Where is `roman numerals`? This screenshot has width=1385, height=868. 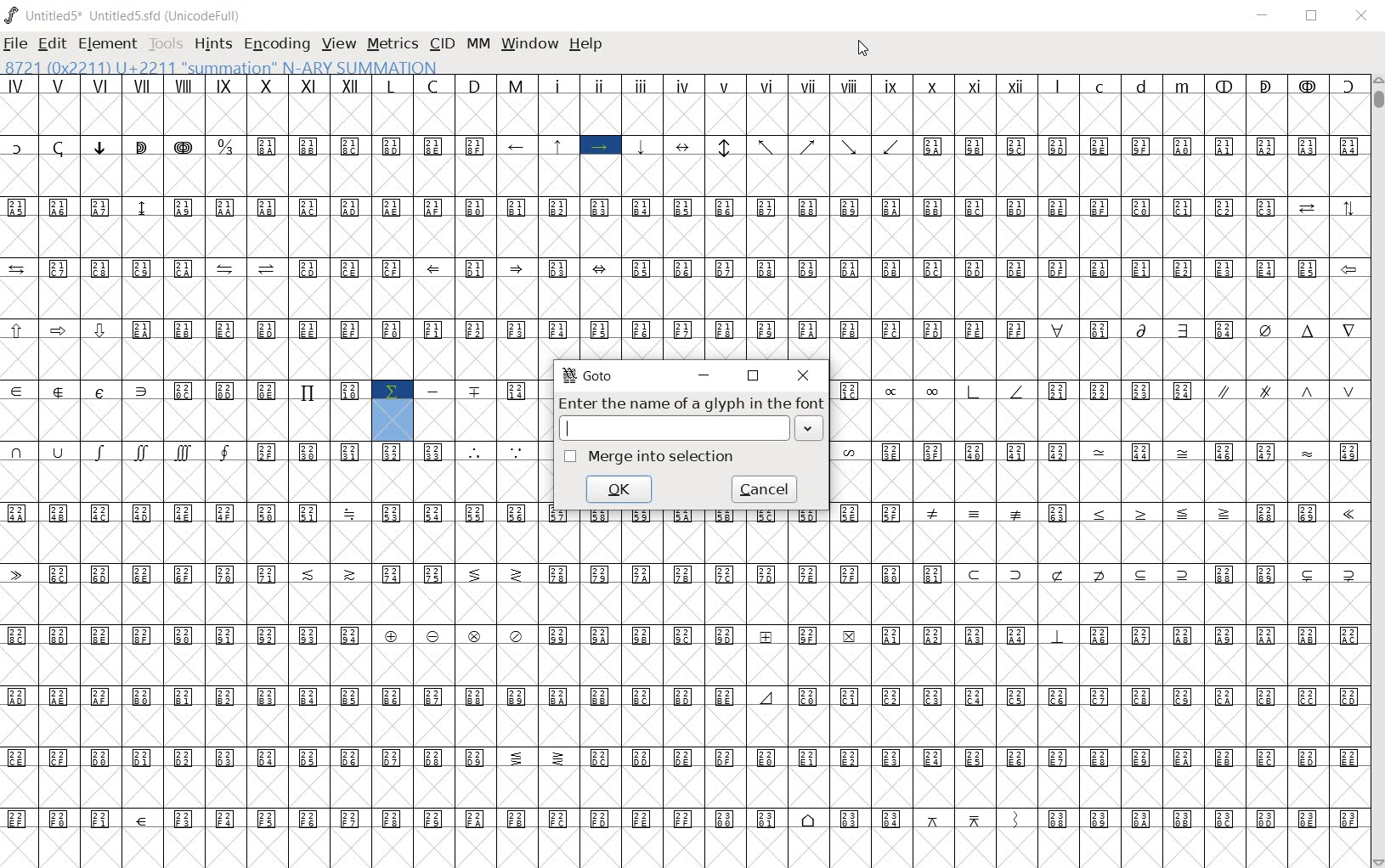
roman numerals is located at coordinates (791, 83).